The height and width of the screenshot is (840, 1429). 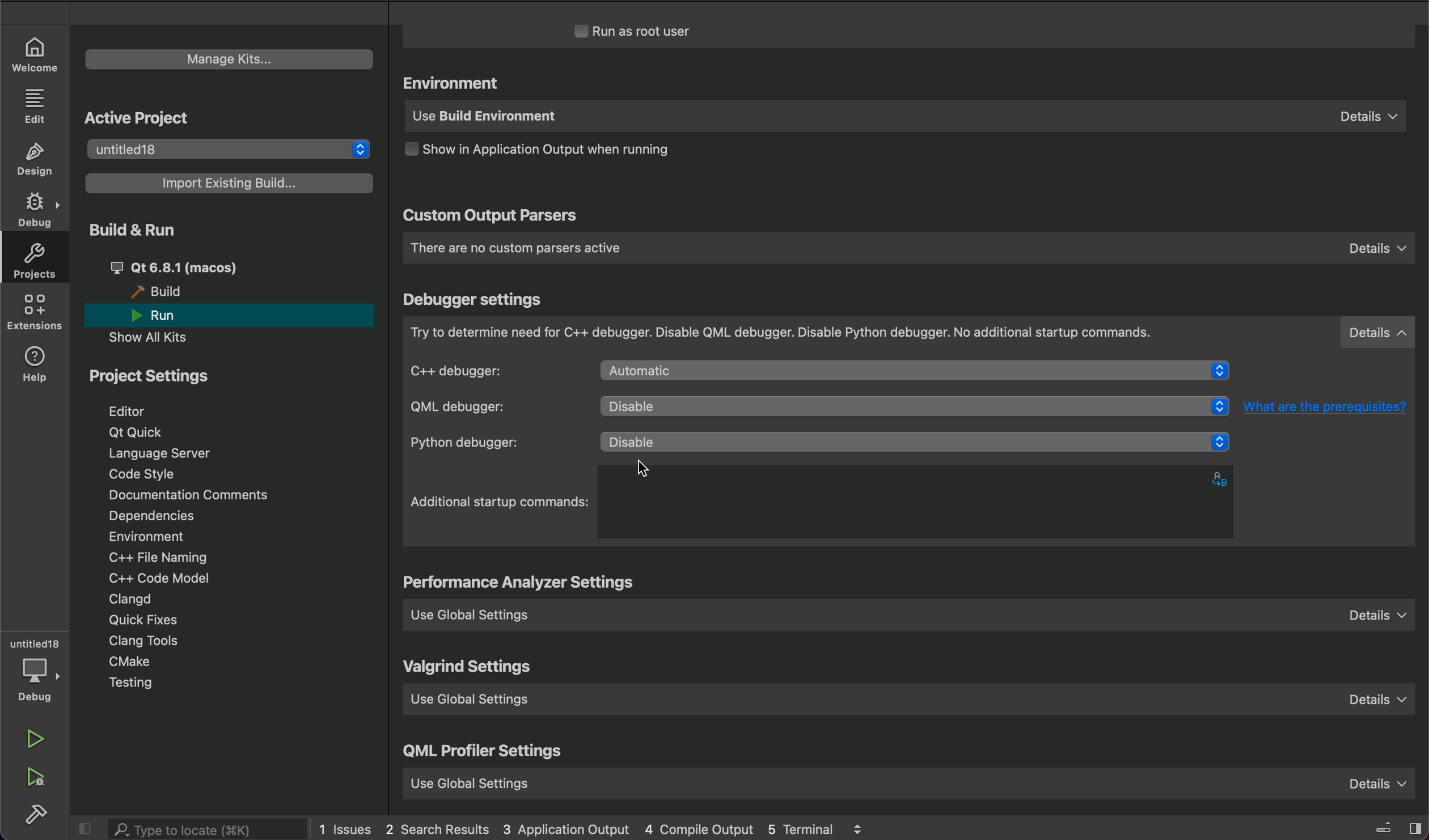 What do you see at coordinates (225, 57) in the screenshot?
I see `manage kits` at bounding box center [225, 57].